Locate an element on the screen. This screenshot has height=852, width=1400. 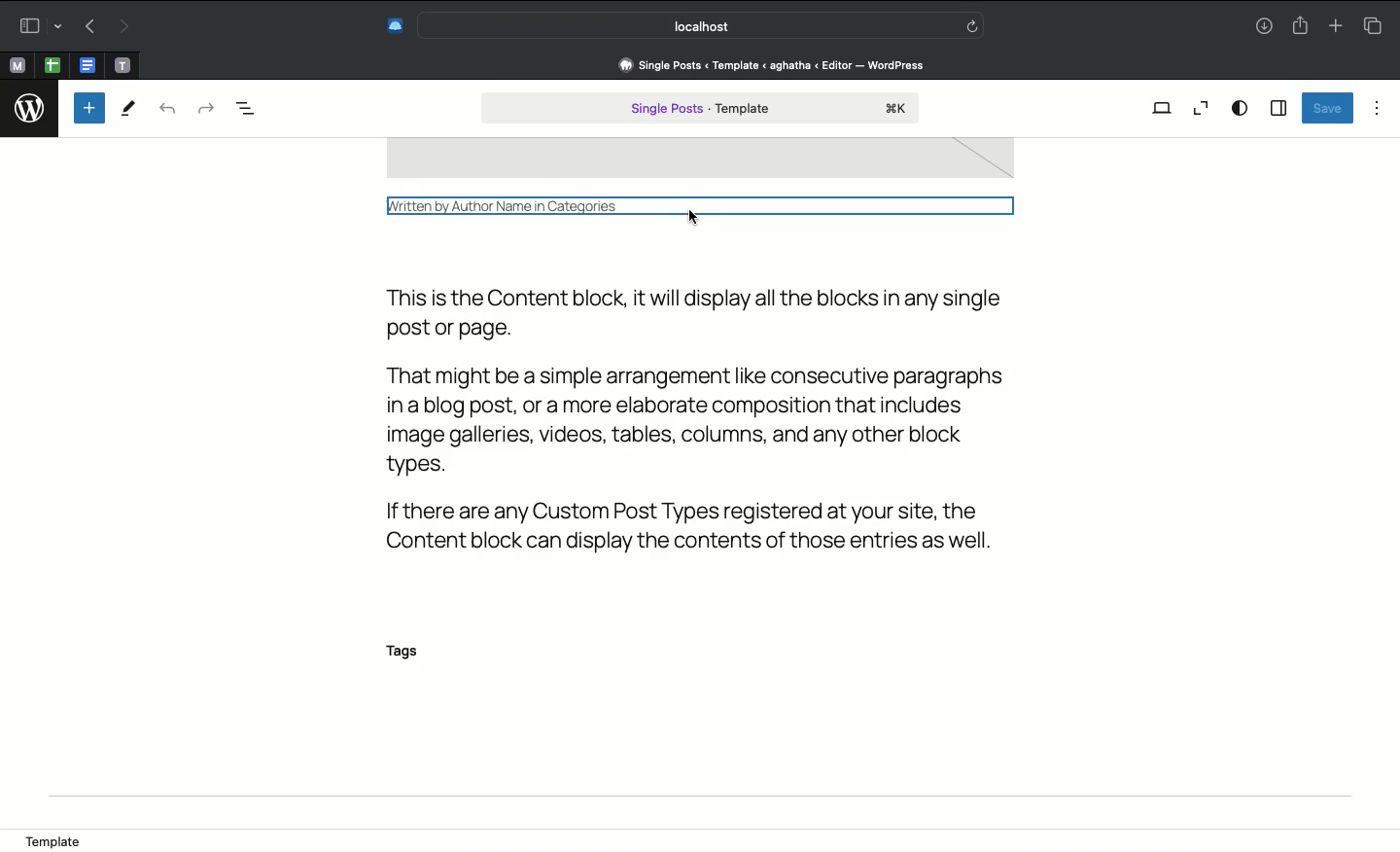
Add new block is located at coordinates (89, 108).